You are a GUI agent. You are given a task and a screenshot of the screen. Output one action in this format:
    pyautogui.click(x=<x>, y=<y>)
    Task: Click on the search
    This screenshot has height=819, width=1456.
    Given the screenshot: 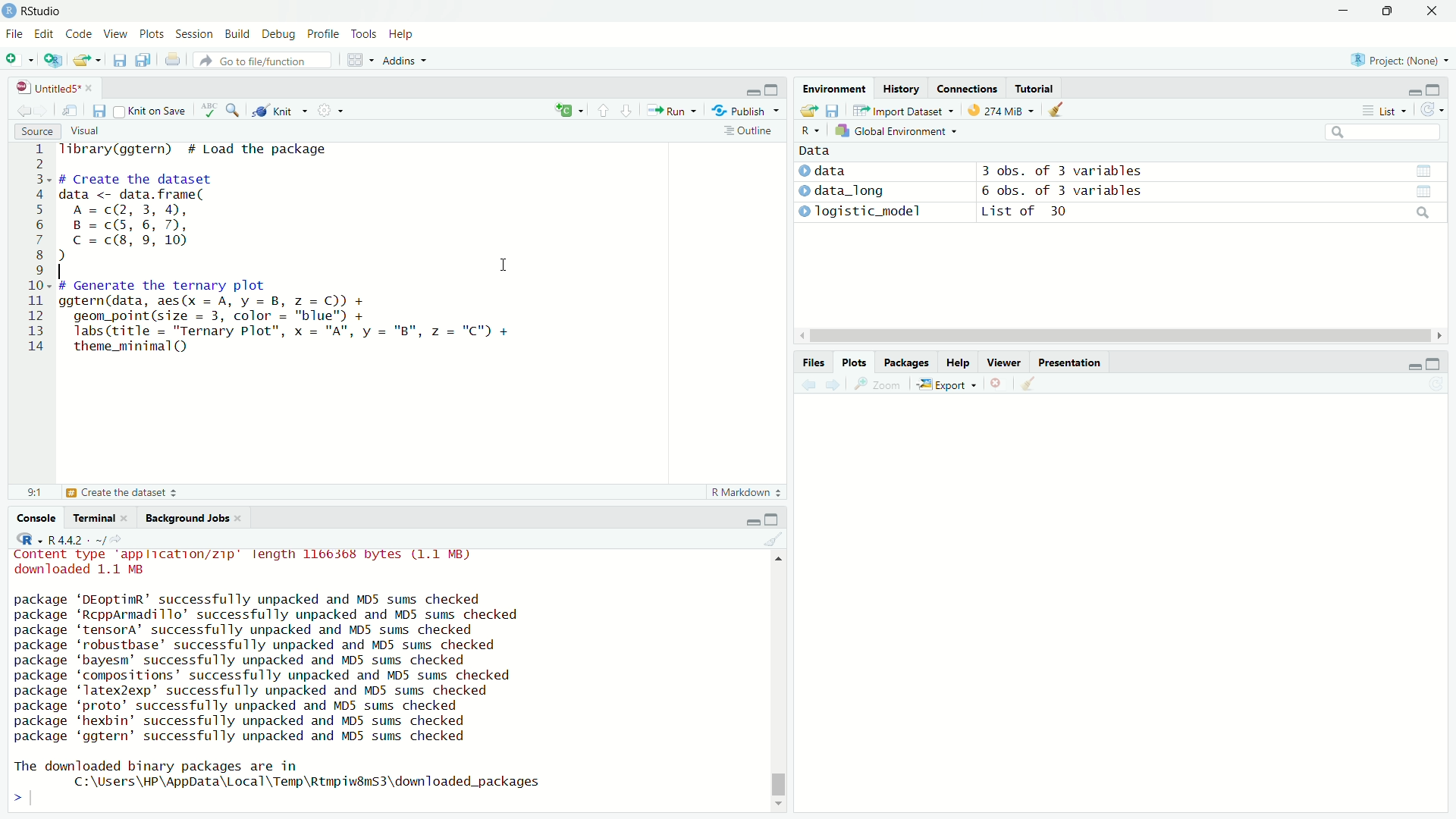 What is the action you would take?
    pyautogui.click(x=1420, y=214)
    